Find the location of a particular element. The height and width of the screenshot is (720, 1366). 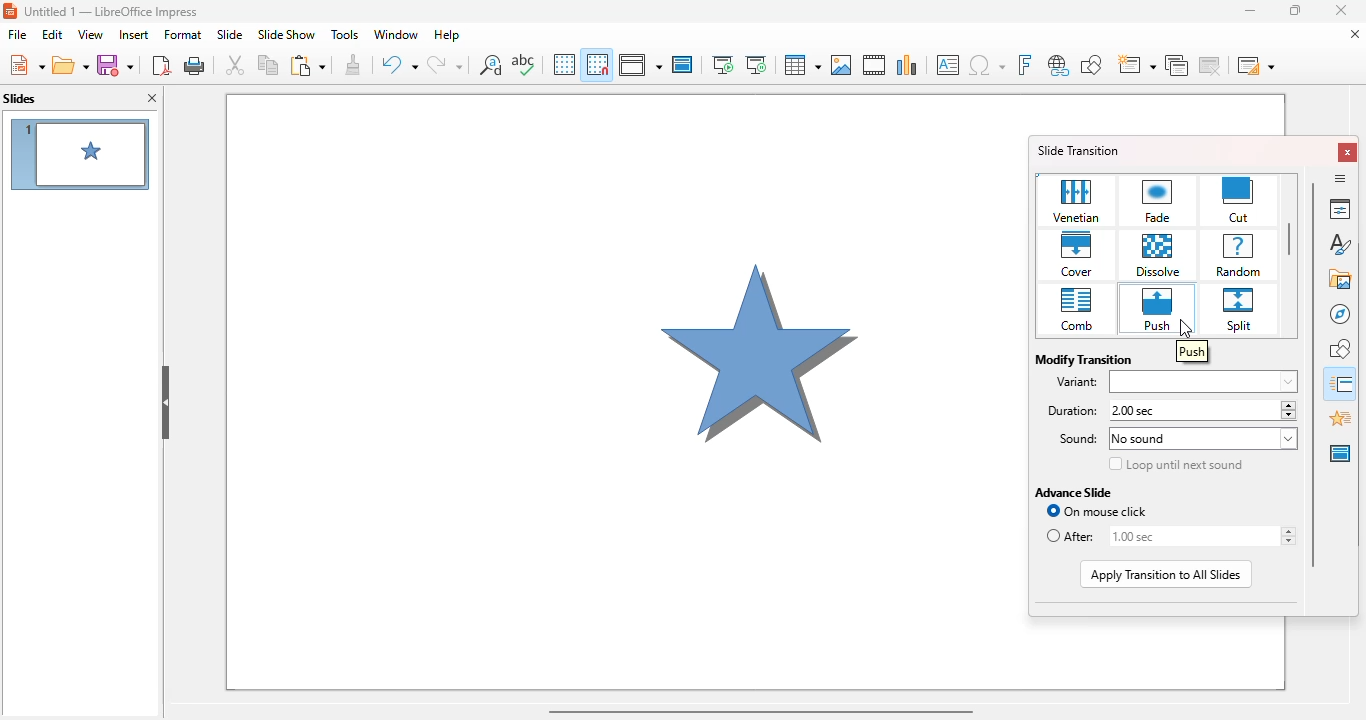

slides is located at coordinates (20, 98).